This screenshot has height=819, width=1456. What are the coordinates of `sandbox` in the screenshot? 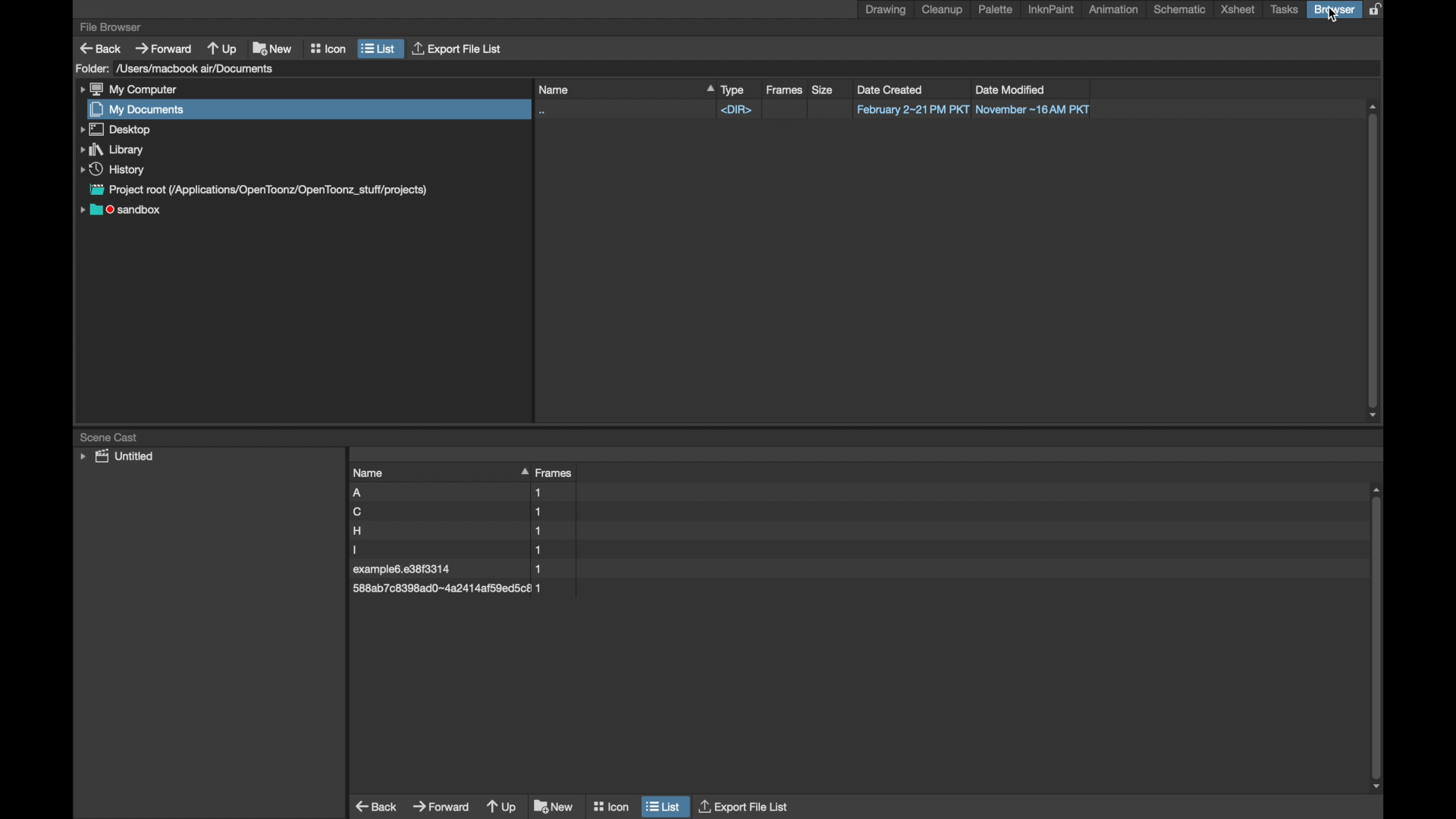 It's located at (122, 212).